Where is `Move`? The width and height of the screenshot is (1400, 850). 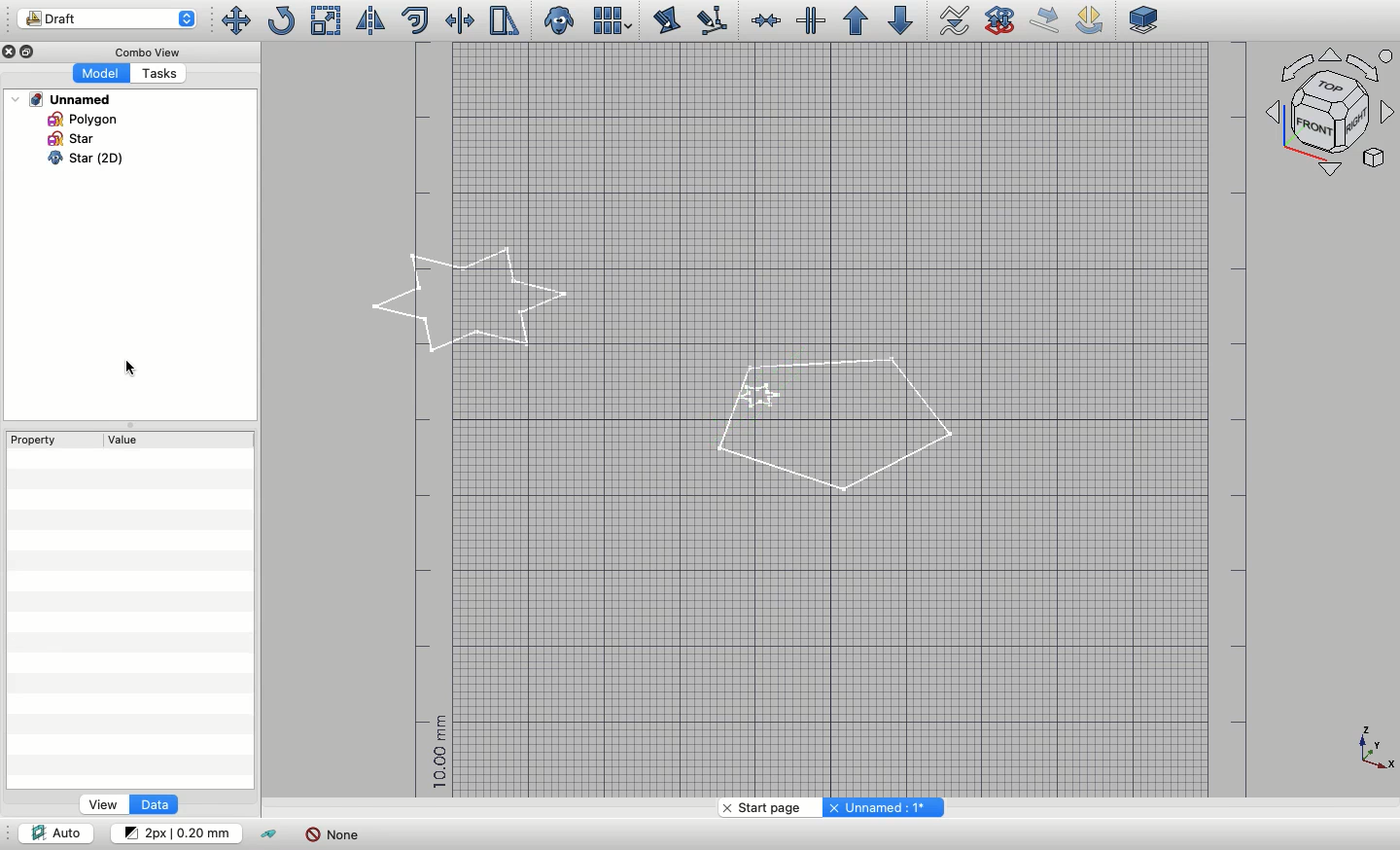
Move is located at coordinates (234, 20).